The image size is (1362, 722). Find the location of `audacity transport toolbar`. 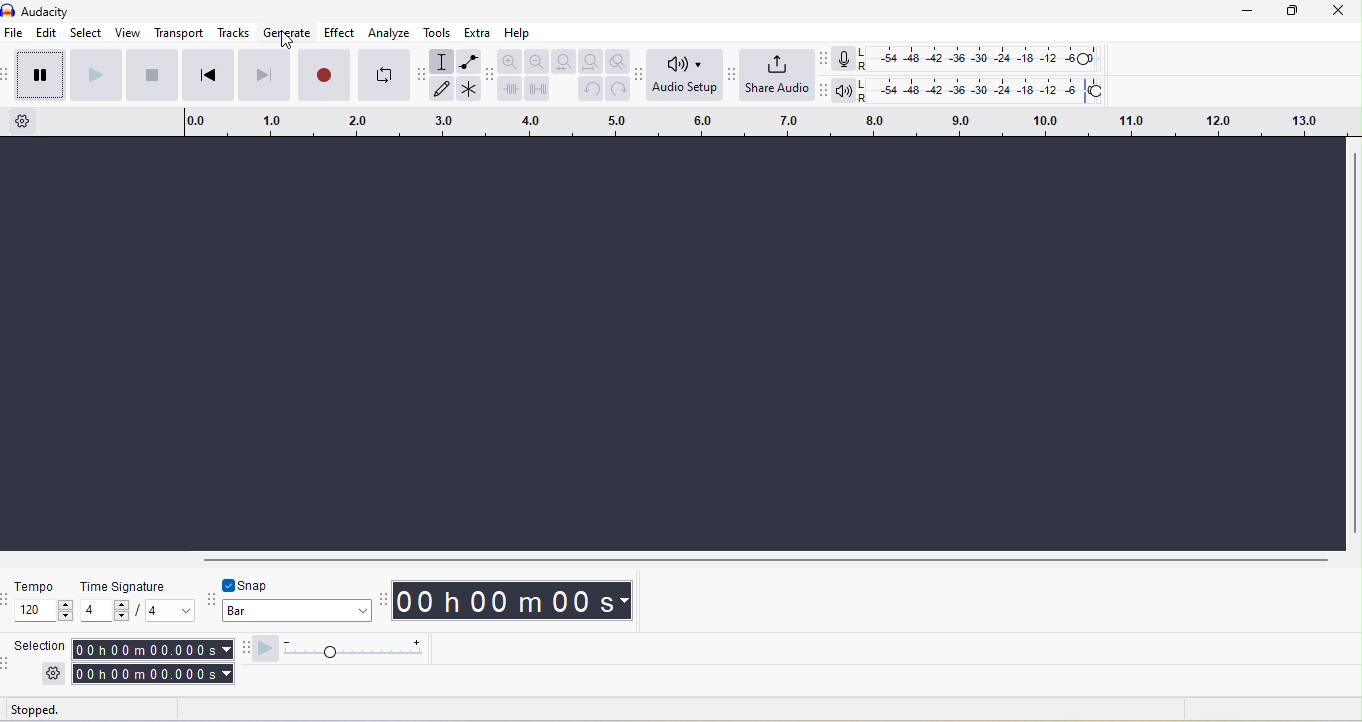

audacity transport toolbar is located at coordinates (9, 77).